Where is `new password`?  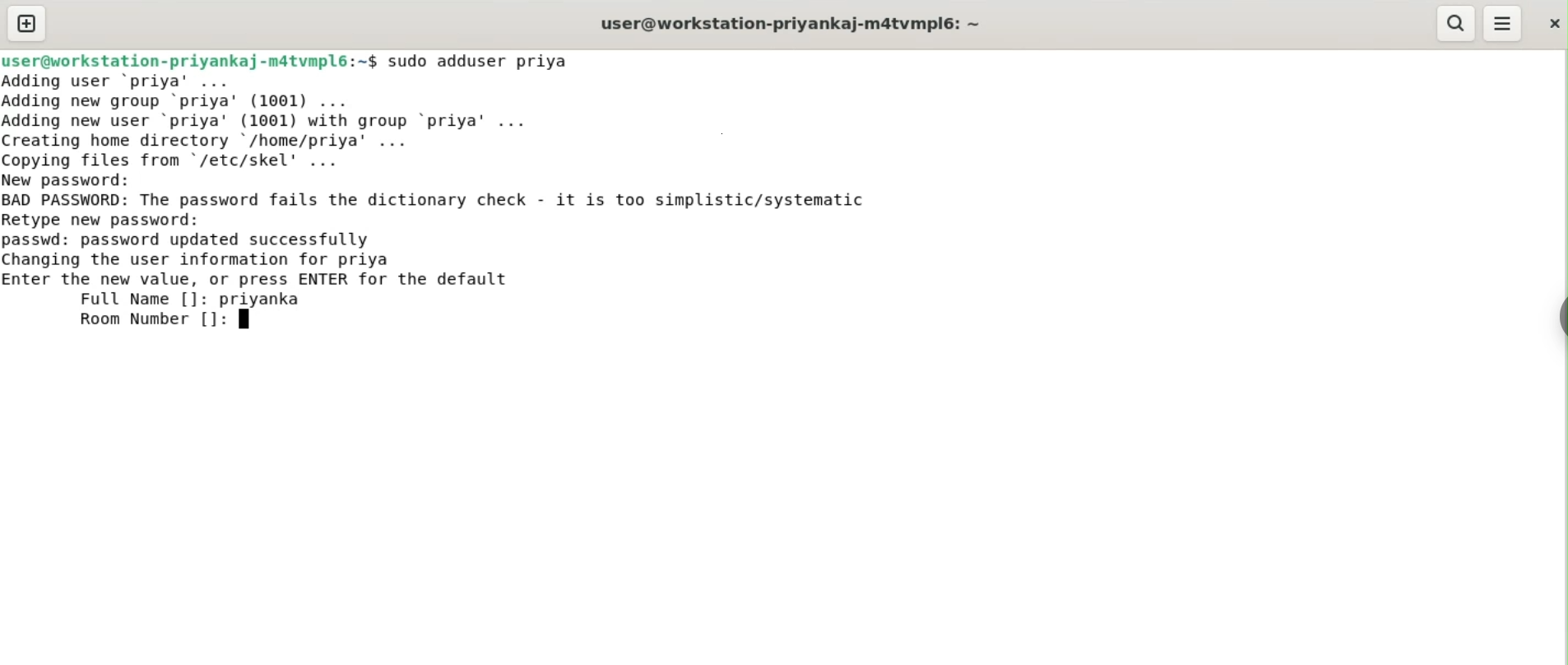 new password is located at coordinates (79, 179).